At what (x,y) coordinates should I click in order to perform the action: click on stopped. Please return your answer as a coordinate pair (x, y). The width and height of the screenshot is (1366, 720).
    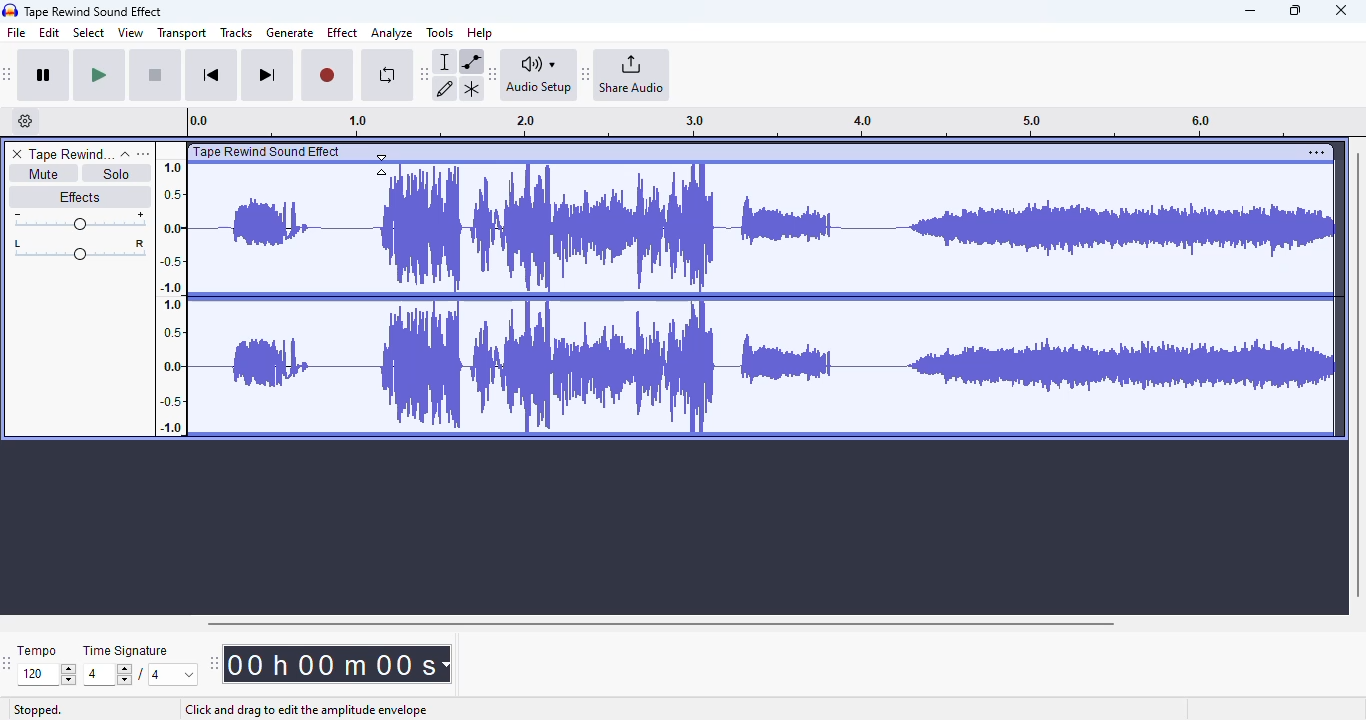
    Looking at the image, I should click on (38, 711).